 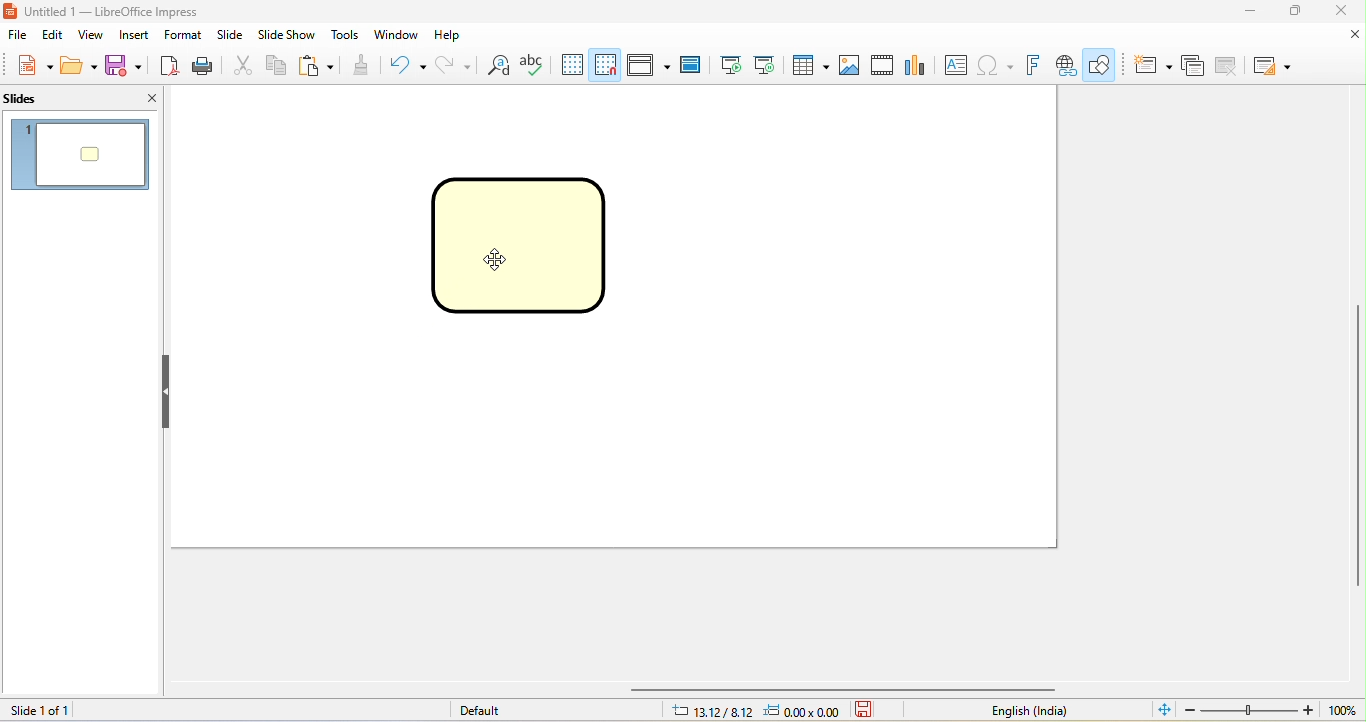 I want to click on display view, so click(x=650, y=64).